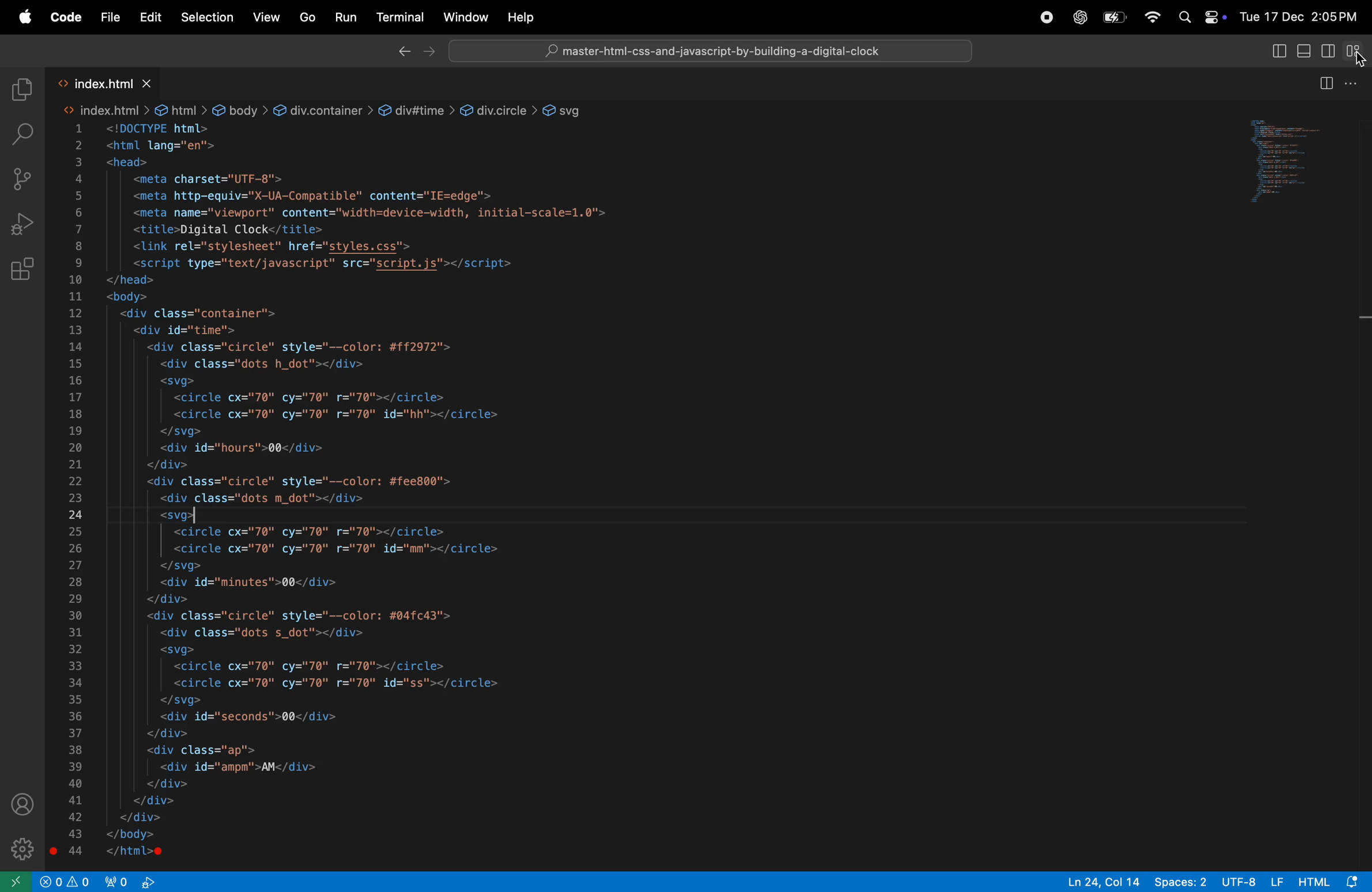  What do you see at coordinates (206, 18) in the screenshot?
I see `selection` at bounding box center [206, 18].